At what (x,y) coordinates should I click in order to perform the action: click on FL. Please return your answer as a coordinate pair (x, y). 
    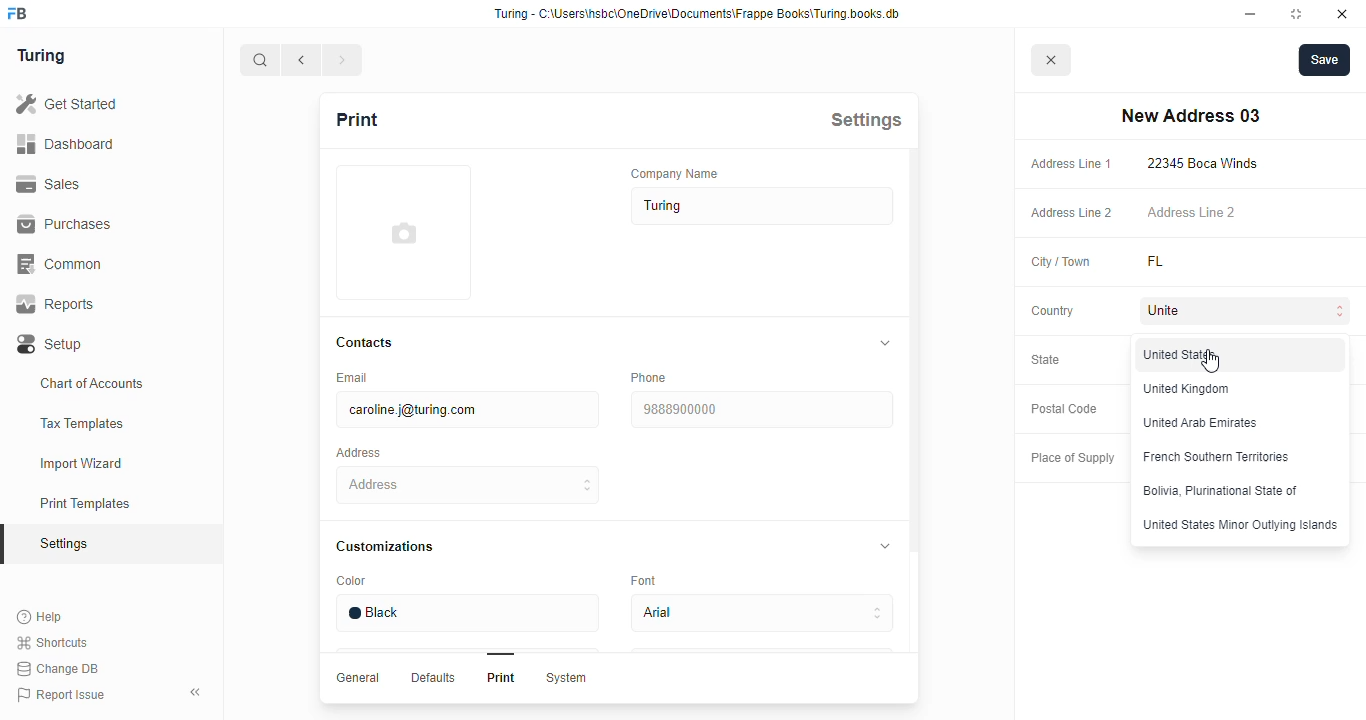
    Looking at the image, I should click on (1180, 262).